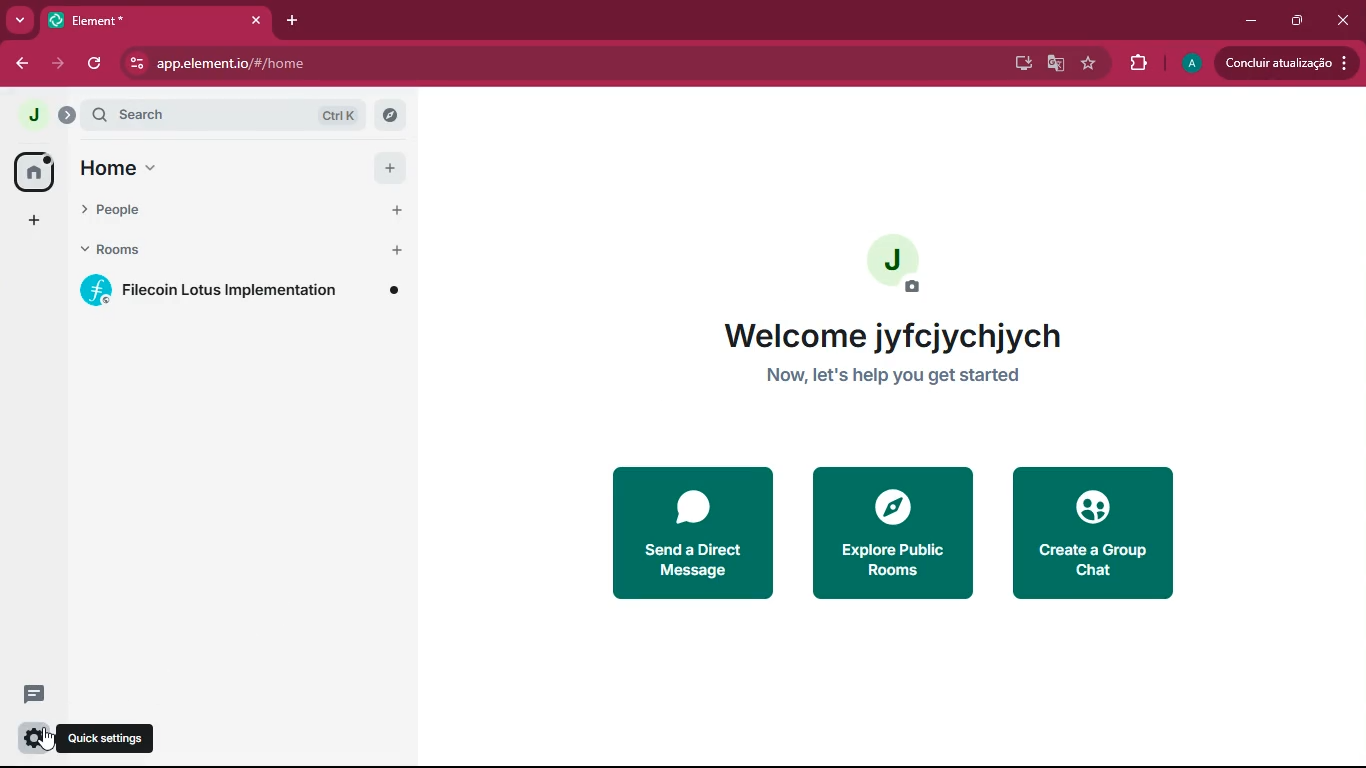 This screenshot has height=768, width=1366. I want to click on add , so click(32, 221).